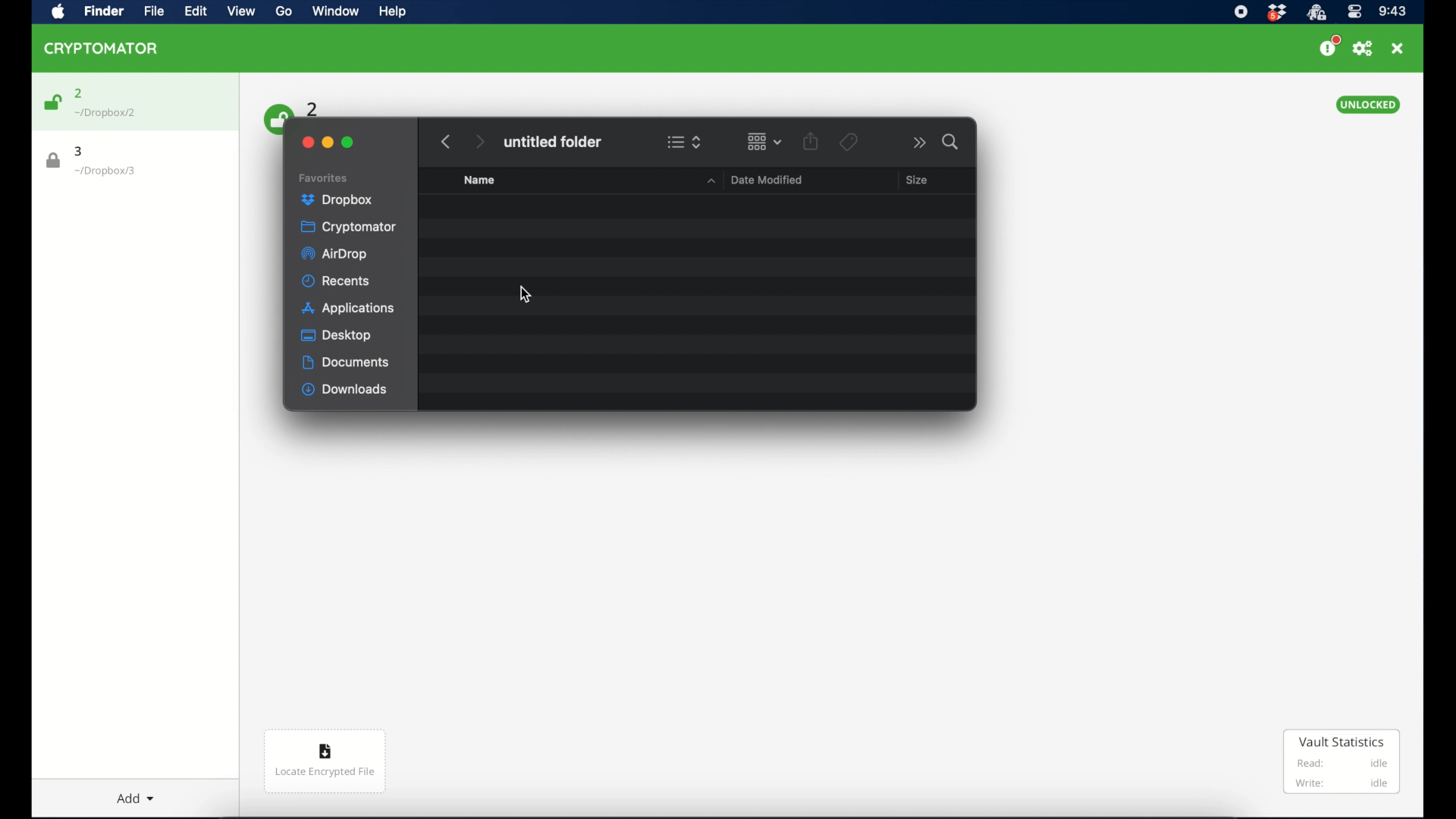  I want to click on window, so click(334, 13).